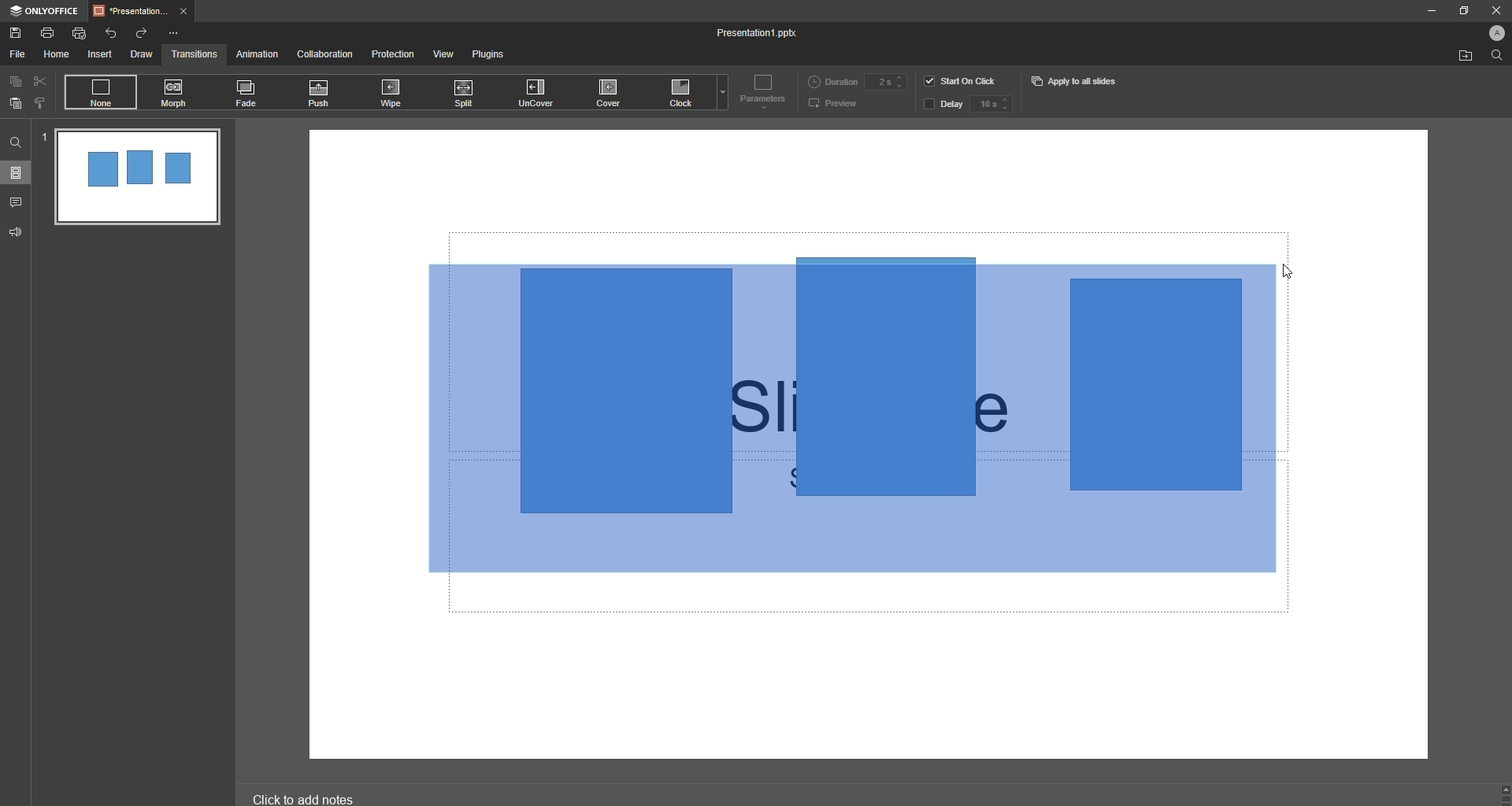 This screenshot has width=1512, height=806. I want to click on Split, so click(467, 94).